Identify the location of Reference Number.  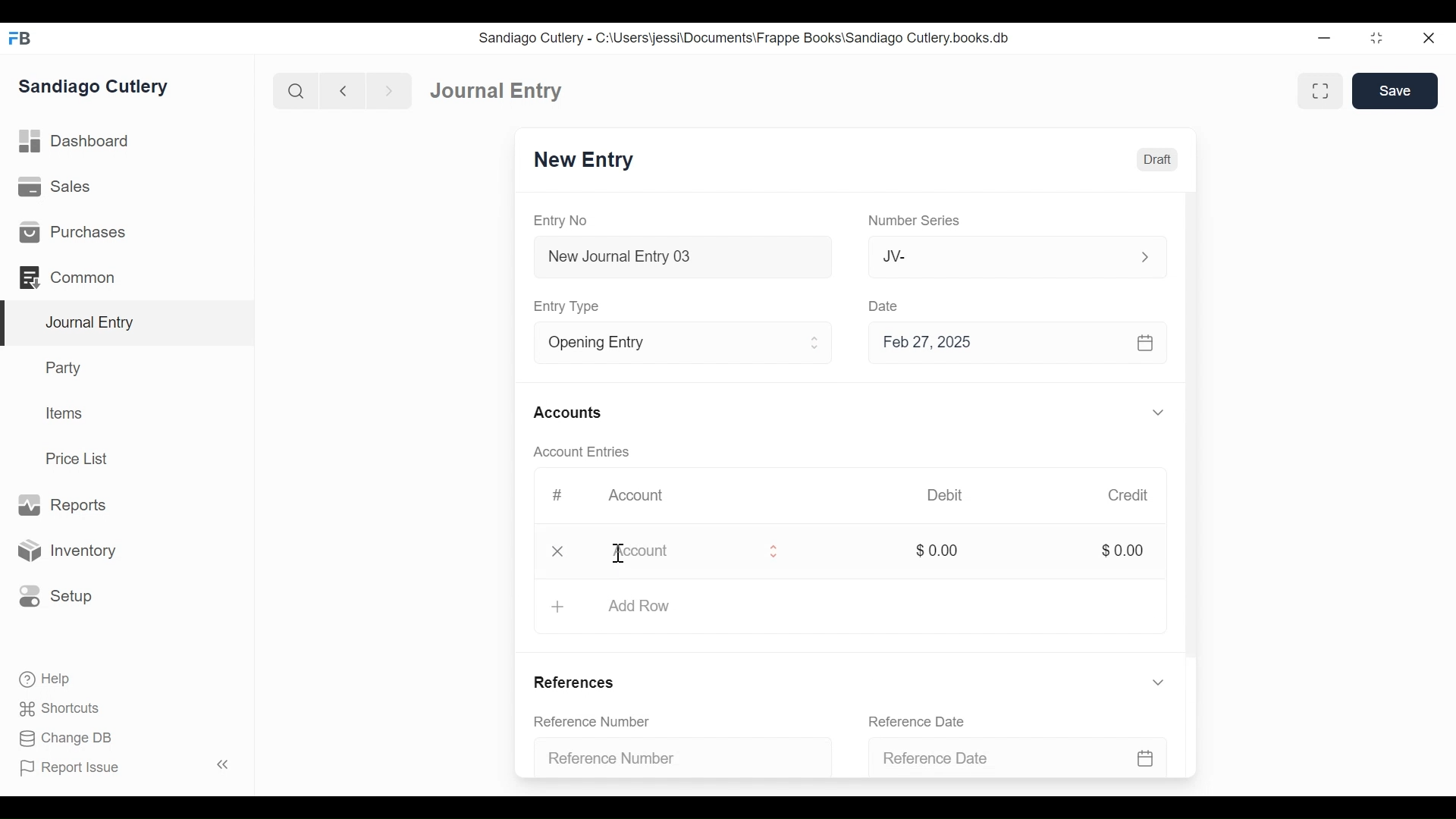
(674, 755).